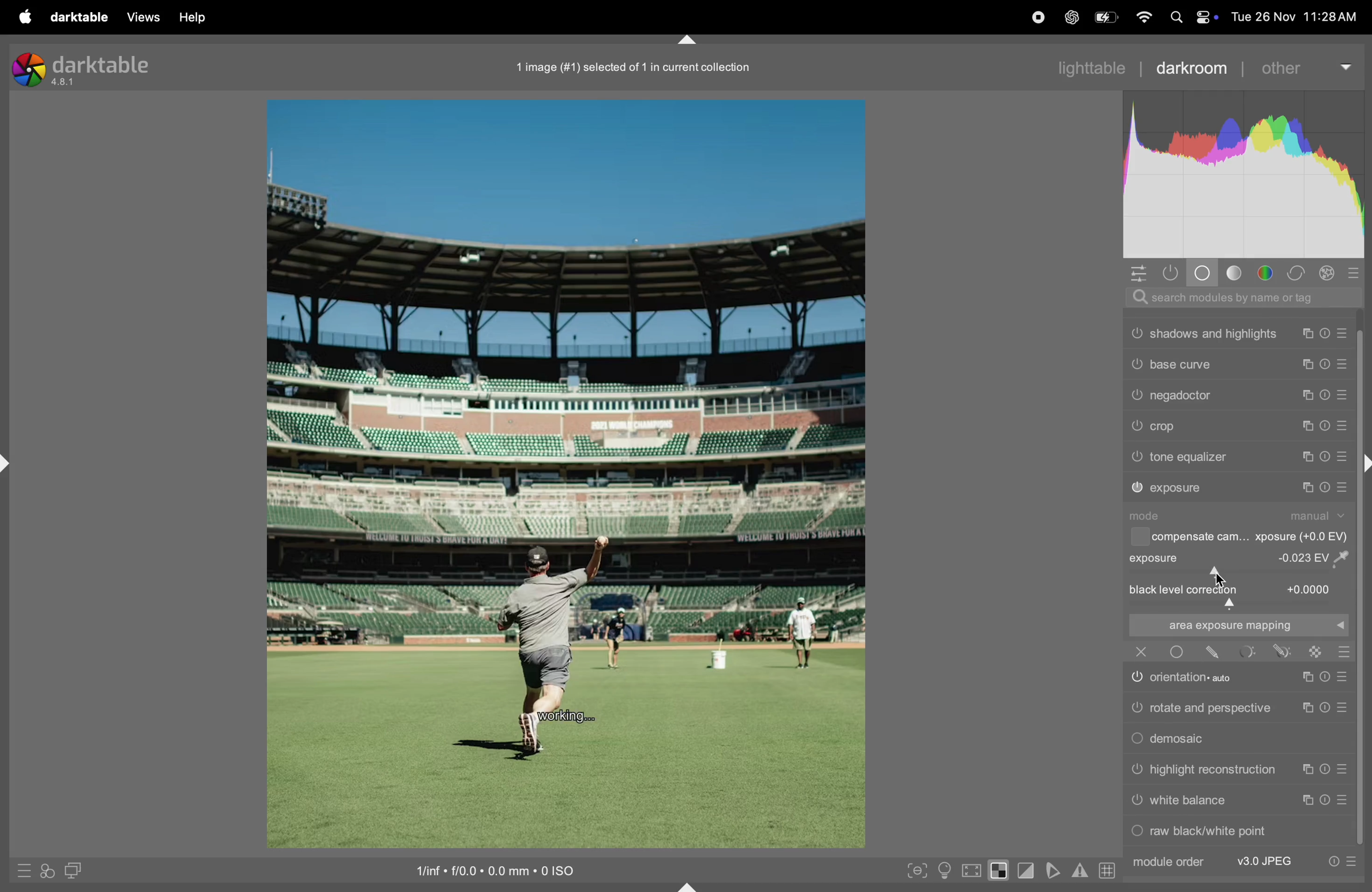 The image size is (1372, 892). Describe the element at coordinates (1298, 273) in the screenshot. I see `correct` at that location.